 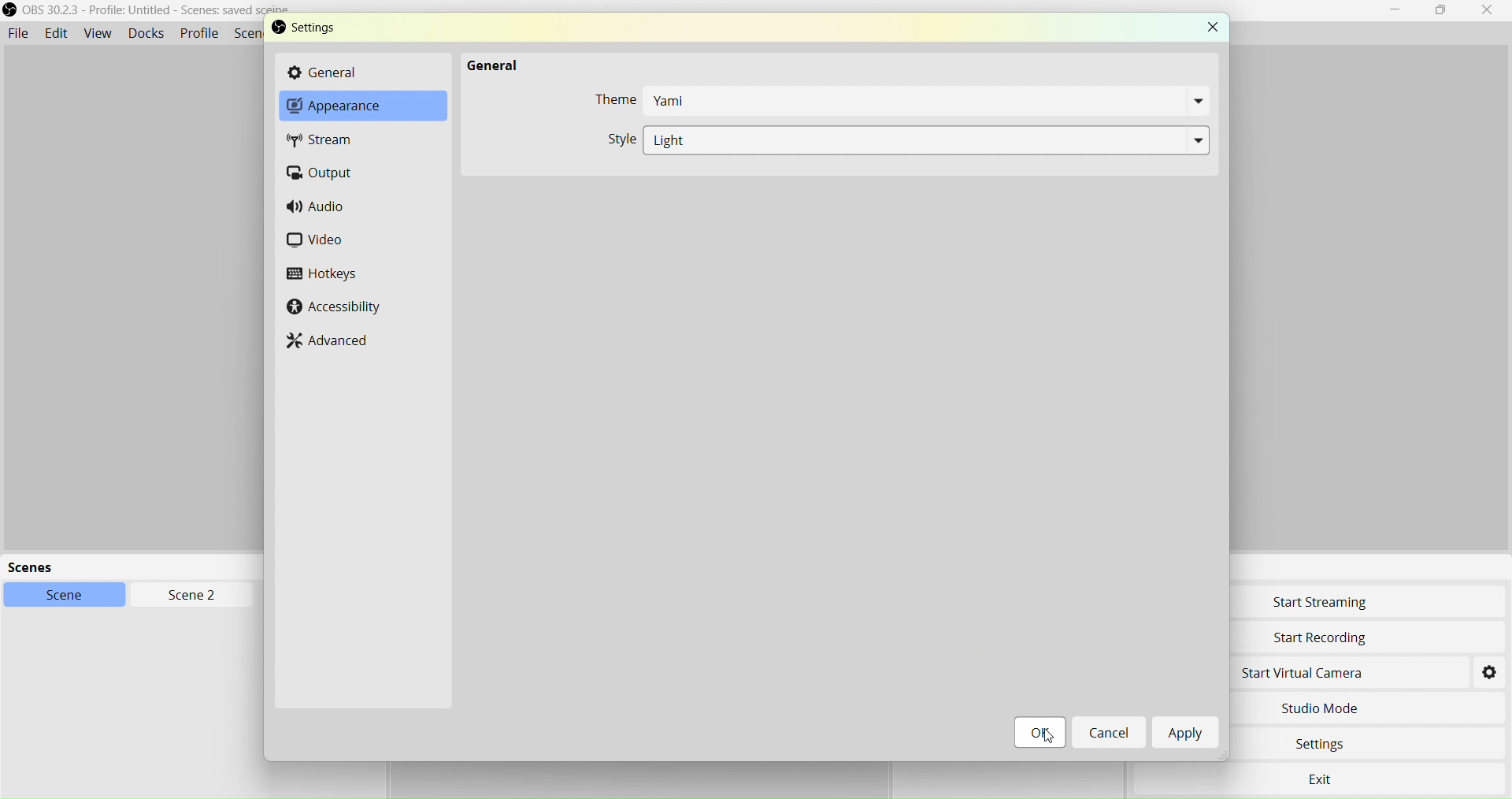 What do you see at coordinates (1039, 731) in the screenshot?
I see `cursor` at bounding box center [1039, 731].